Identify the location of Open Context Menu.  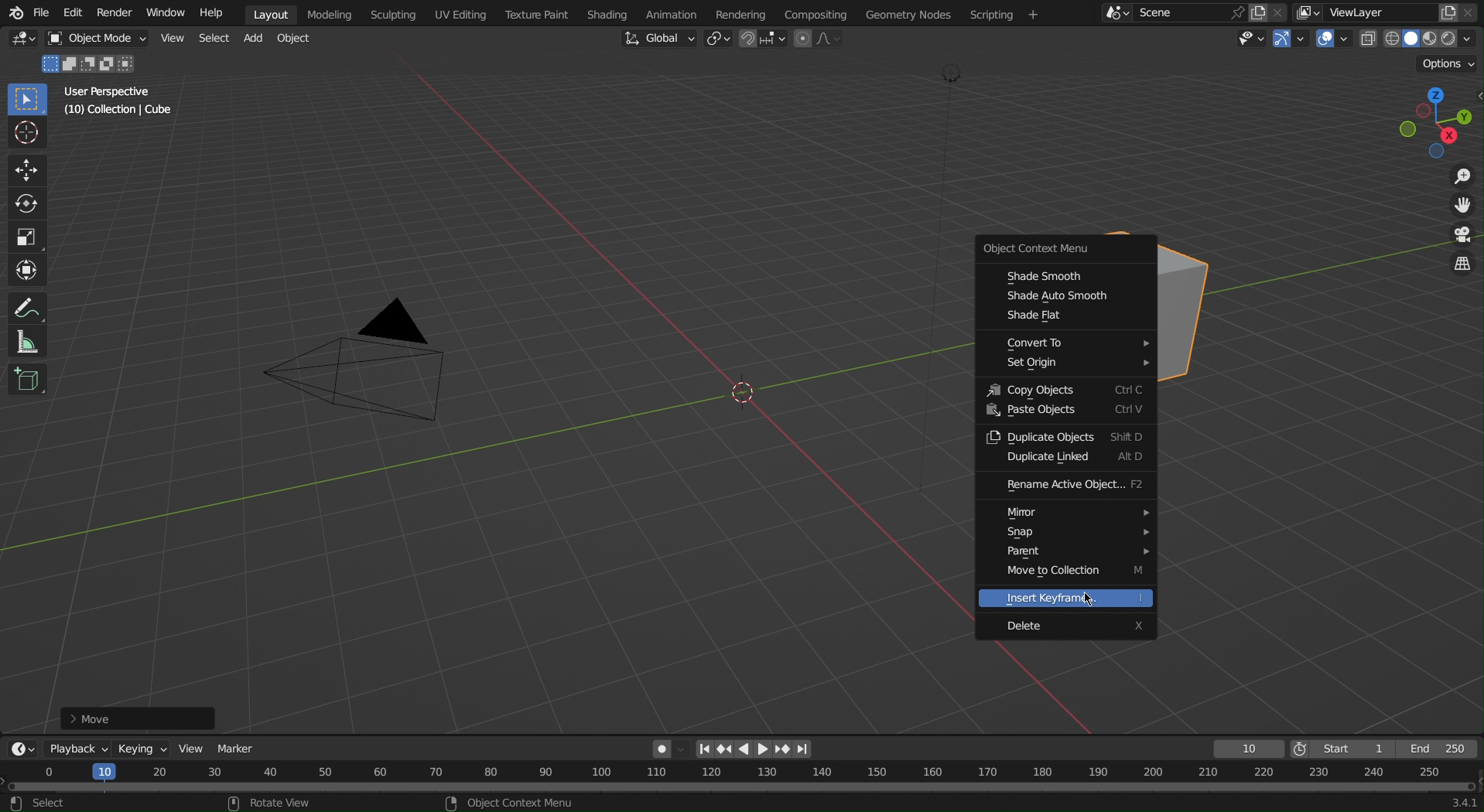
(1062, 251).